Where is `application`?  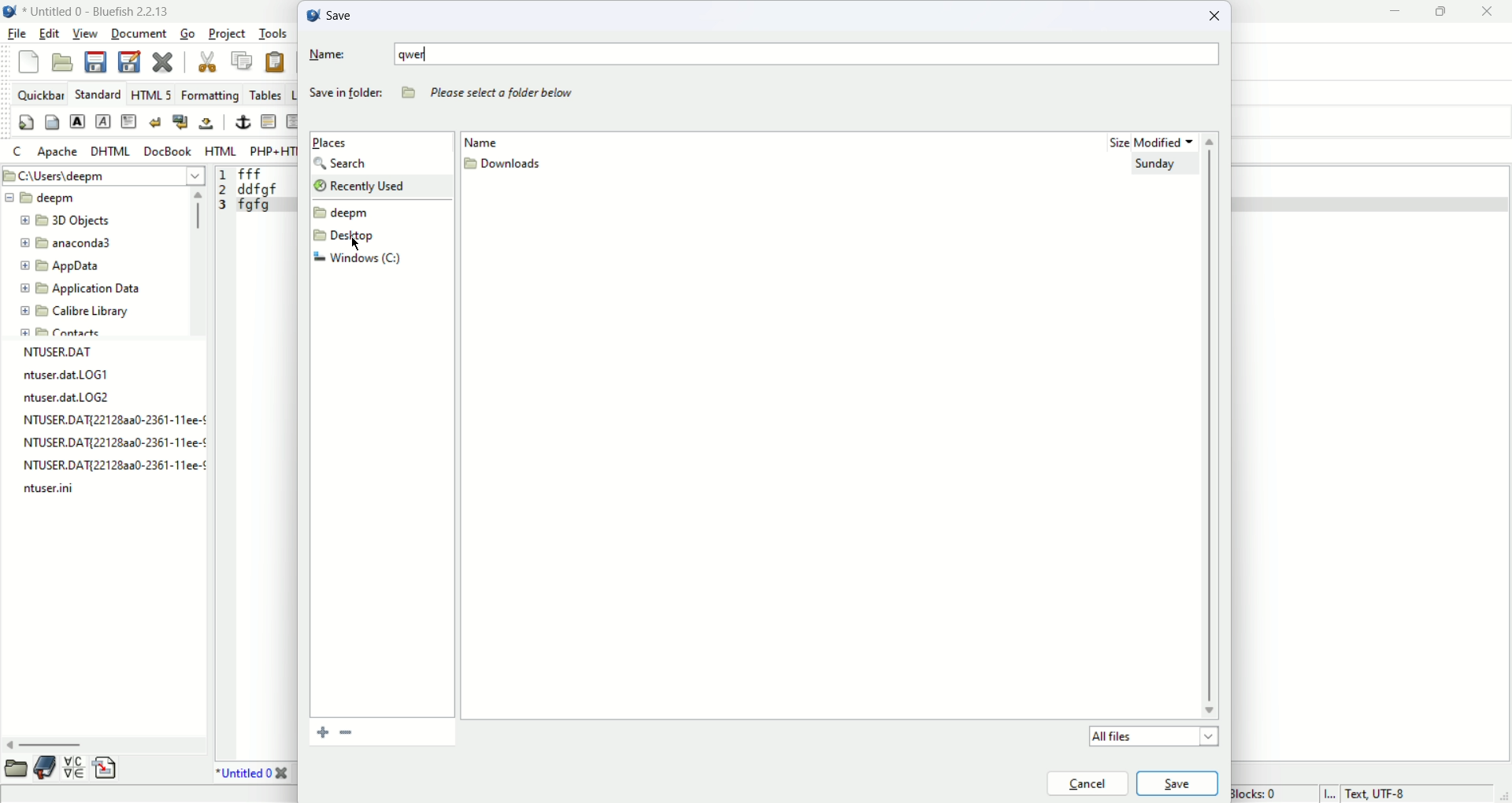
application is located at coordinates (76, 289).